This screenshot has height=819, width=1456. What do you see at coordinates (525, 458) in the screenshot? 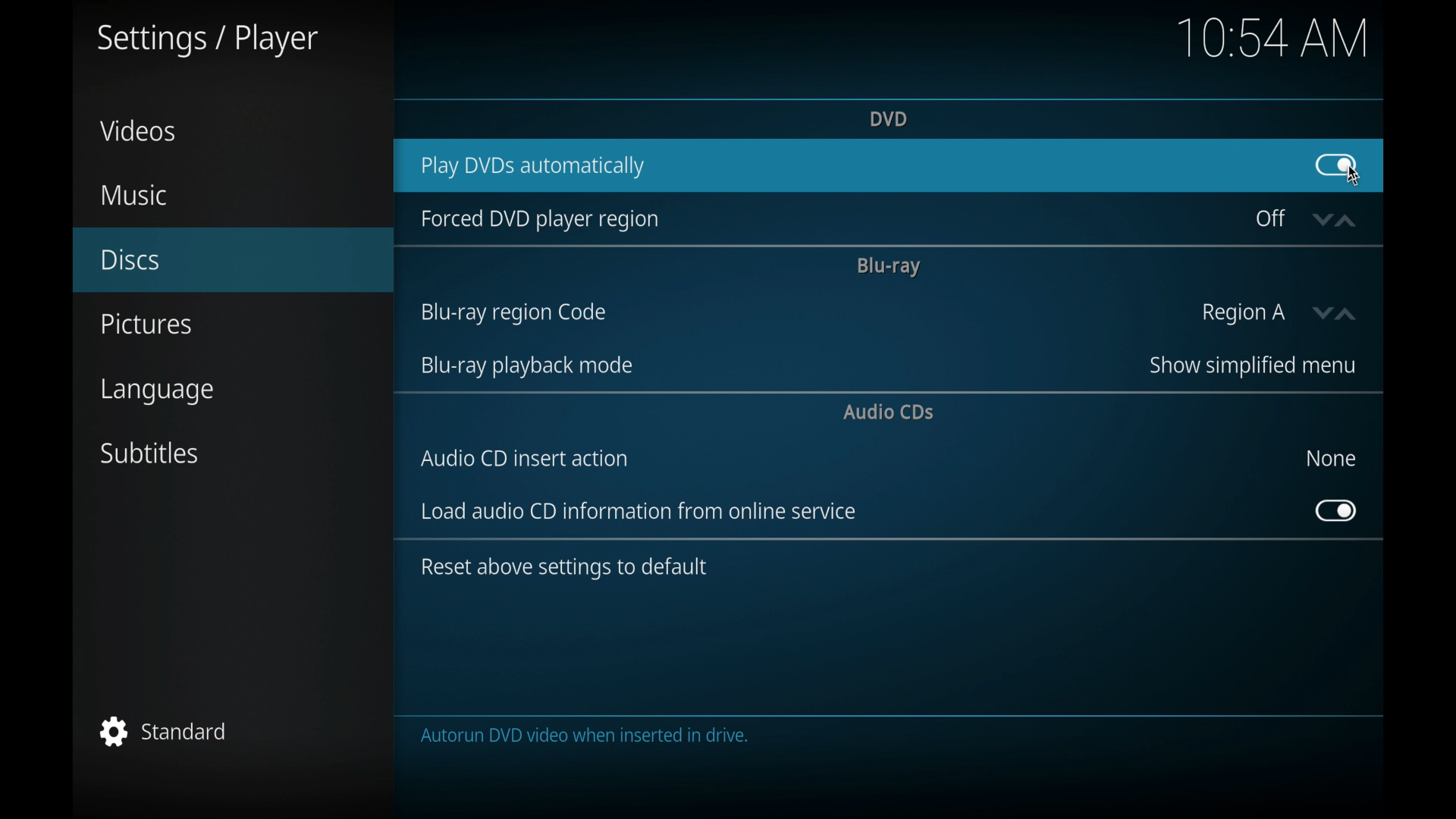
I see `audio cd insert action` at bounding box center [525, 458].